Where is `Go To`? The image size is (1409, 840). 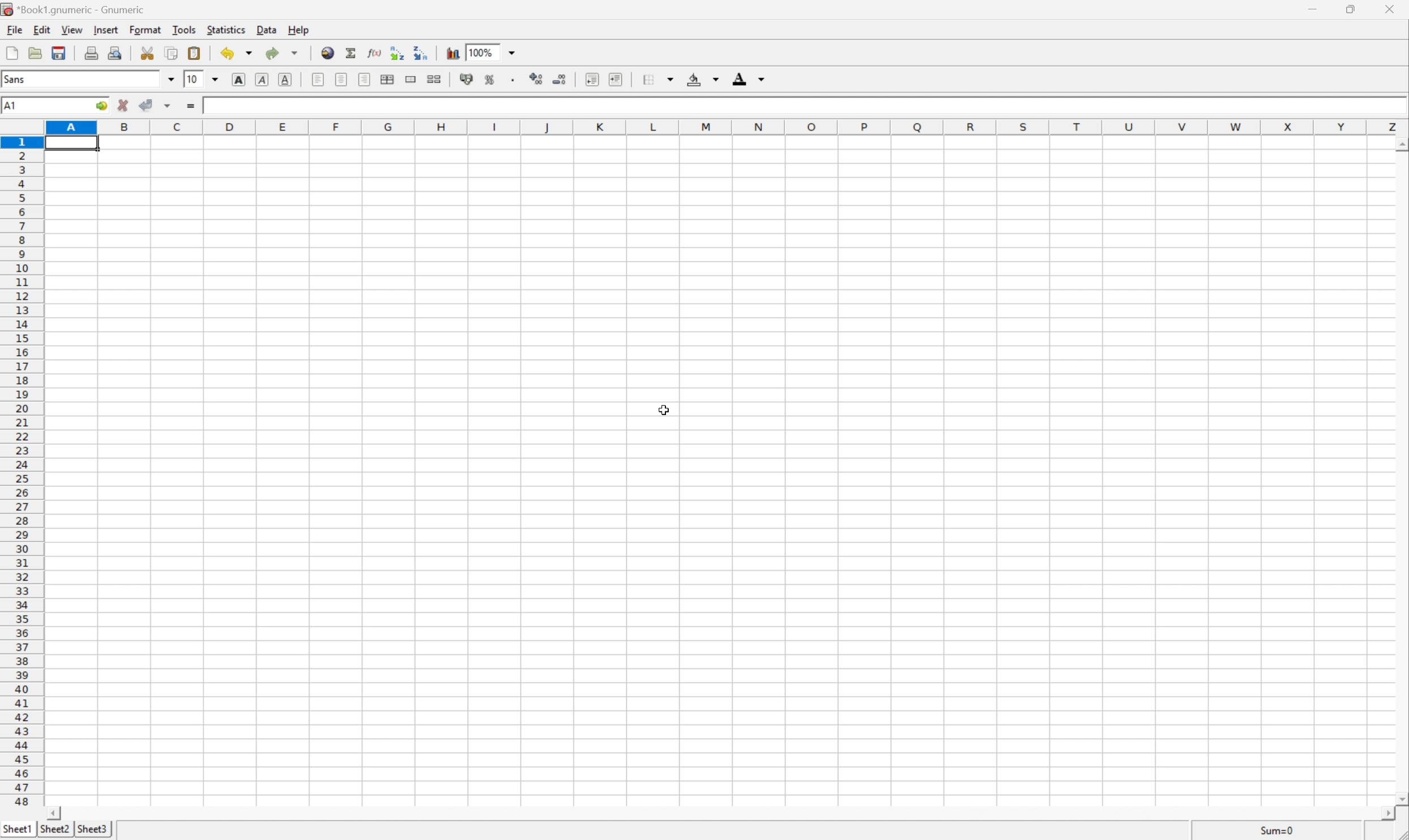
Go To is located at coordinates (101, 106).